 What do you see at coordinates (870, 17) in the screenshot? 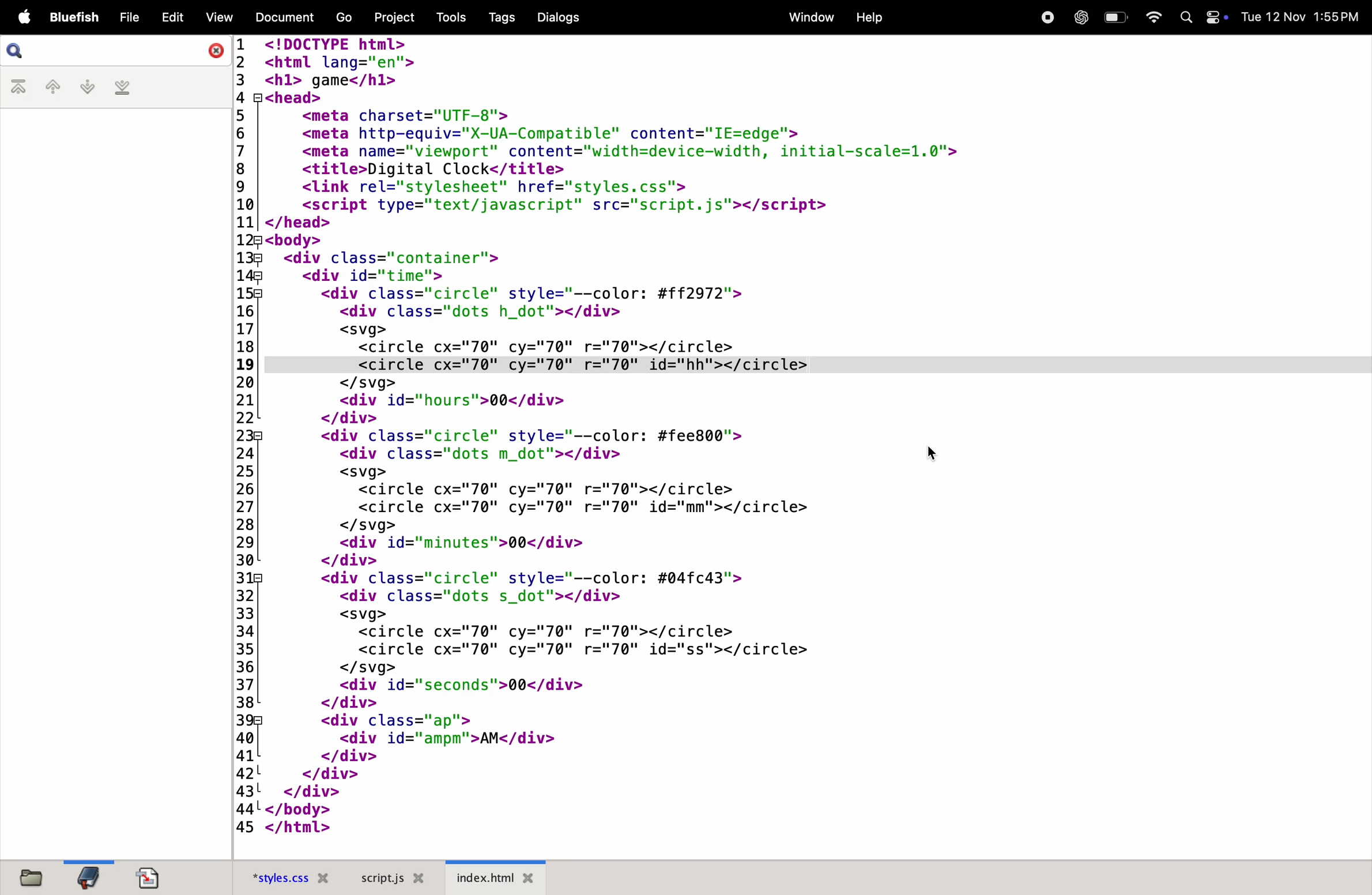
I see `help` at bounding box center [870, 17].